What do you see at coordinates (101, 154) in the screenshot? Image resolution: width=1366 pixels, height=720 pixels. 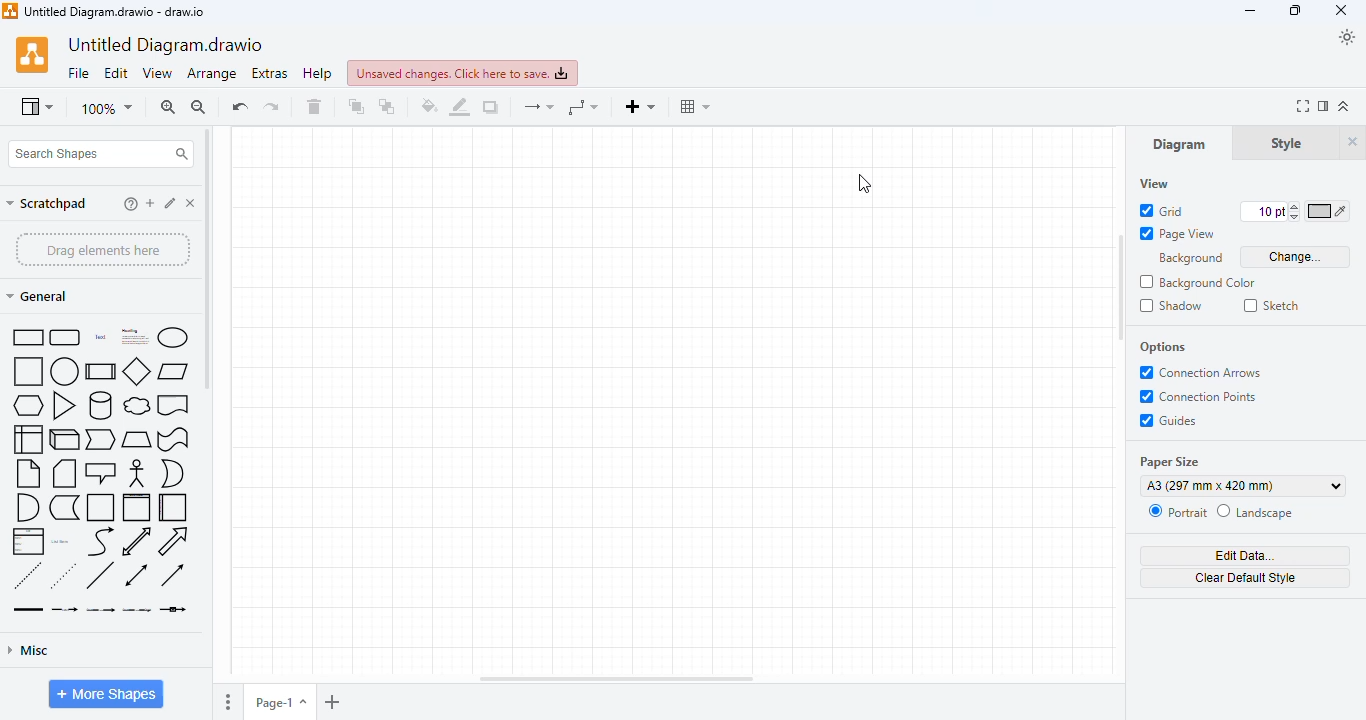 I see `search shapes` at bounding box center [101, 154].